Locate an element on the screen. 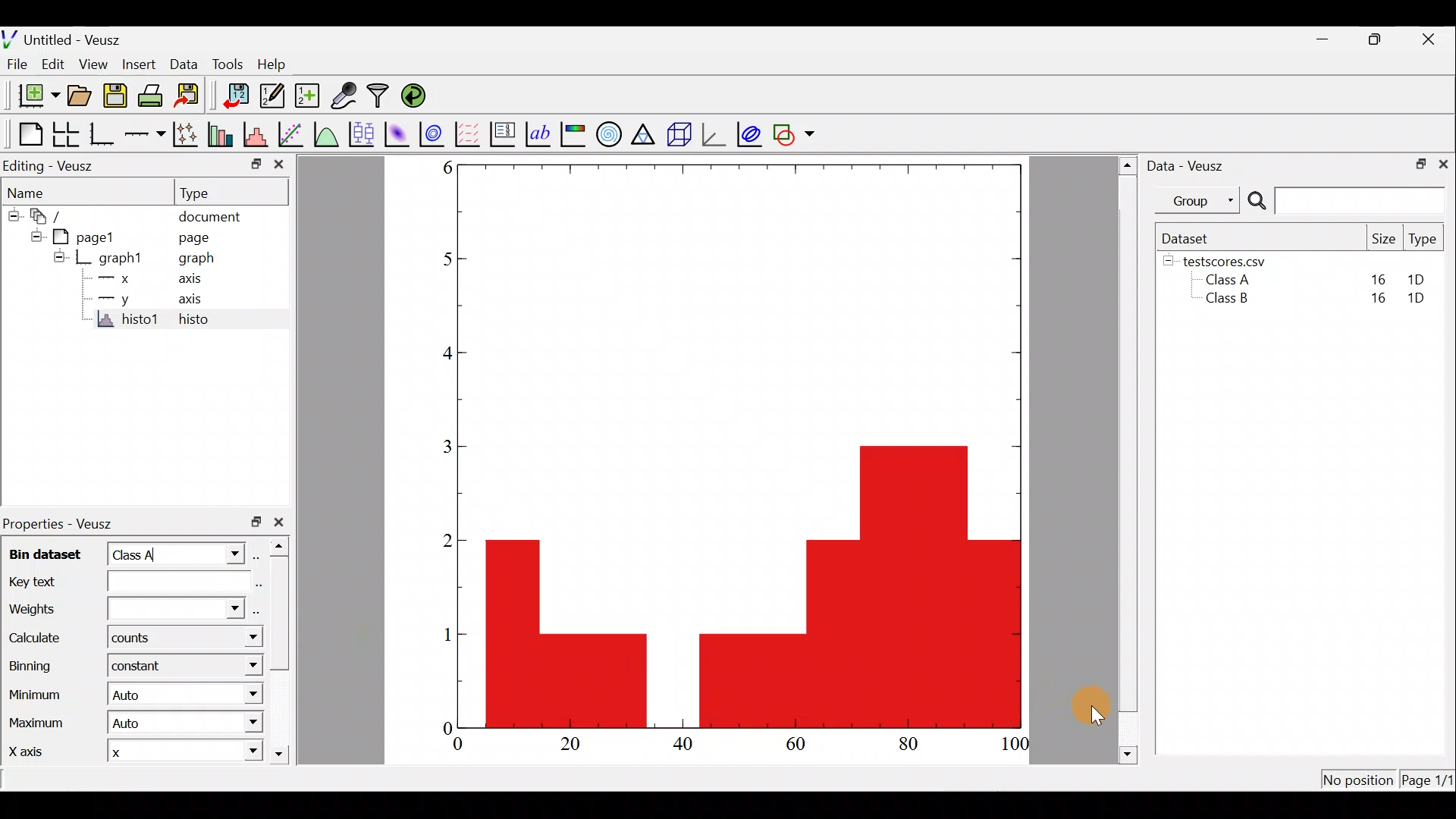  Ternary graph is located at coordinates (645, 133).